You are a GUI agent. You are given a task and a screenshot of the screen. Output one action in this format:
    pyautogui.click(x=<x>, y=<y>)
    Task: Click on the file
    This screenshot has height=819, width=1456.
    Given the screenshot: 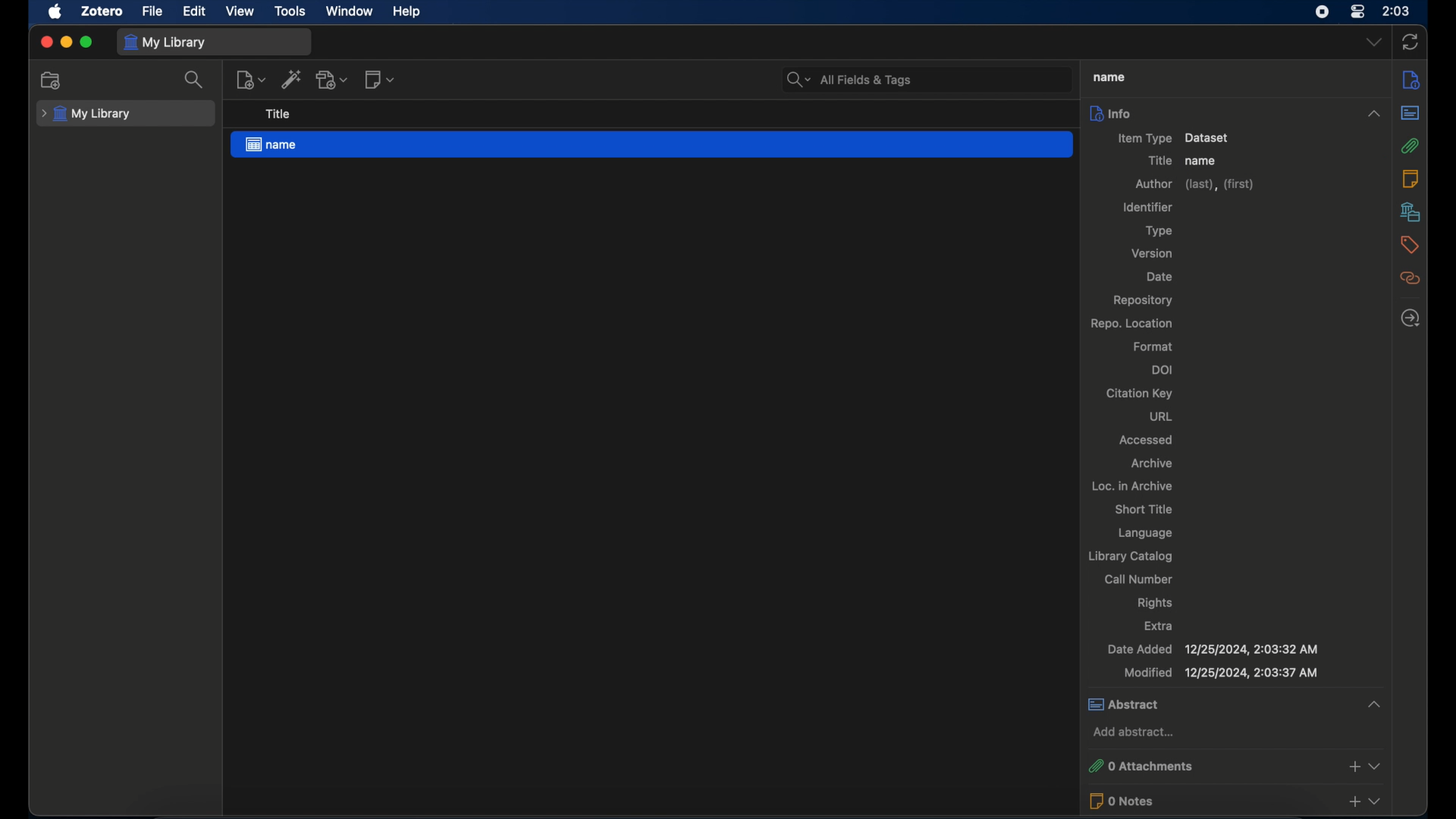 What is the action you would take?
    pyautogui.click(x=152, y=11)
    